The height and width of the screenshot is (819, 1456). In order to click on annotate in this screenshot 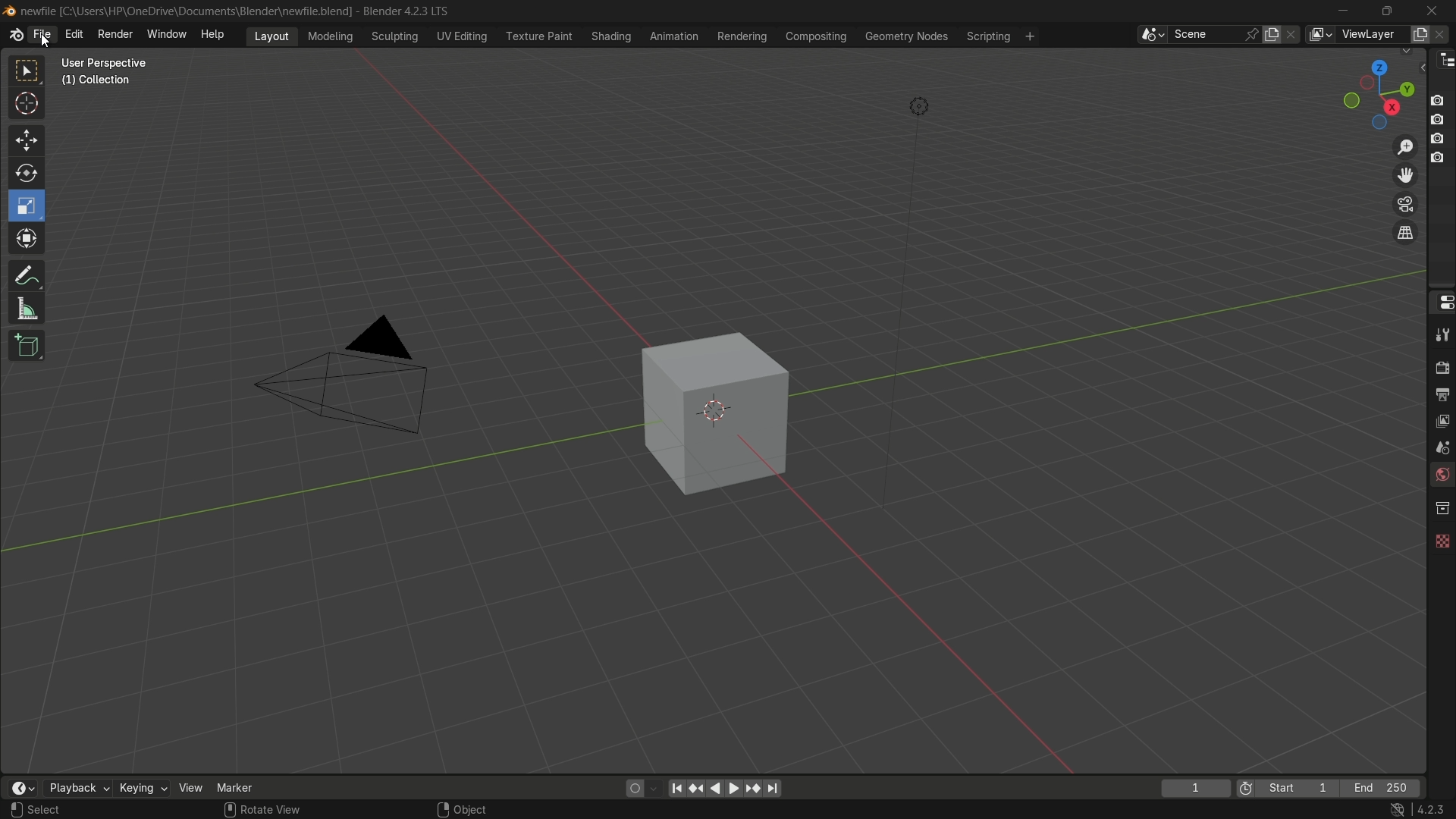, I will do `click(26, 274)`.